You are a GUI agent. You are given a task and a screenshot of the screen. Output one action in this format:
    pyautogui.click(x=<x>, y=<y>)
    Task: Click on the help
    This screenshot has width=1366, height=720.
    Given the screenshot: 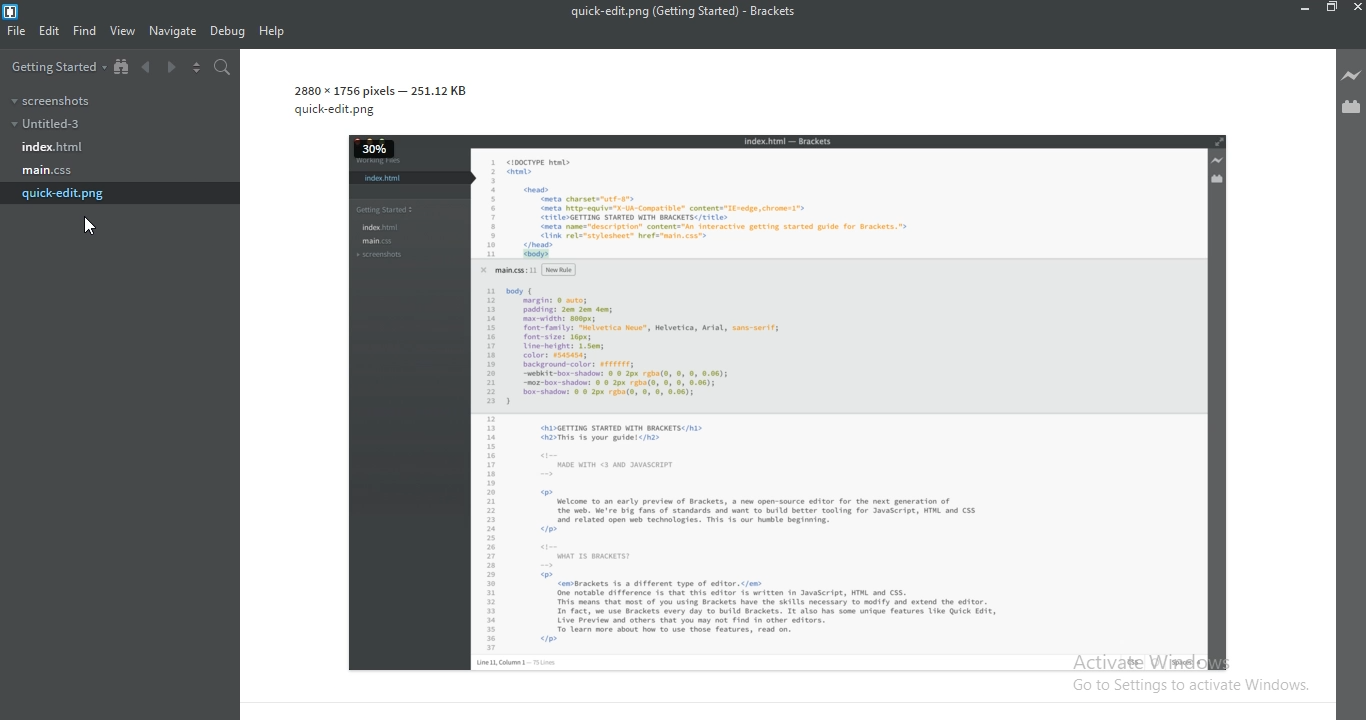 What is the action you would take?
    pyautogui.click(x=271, y=32)
    